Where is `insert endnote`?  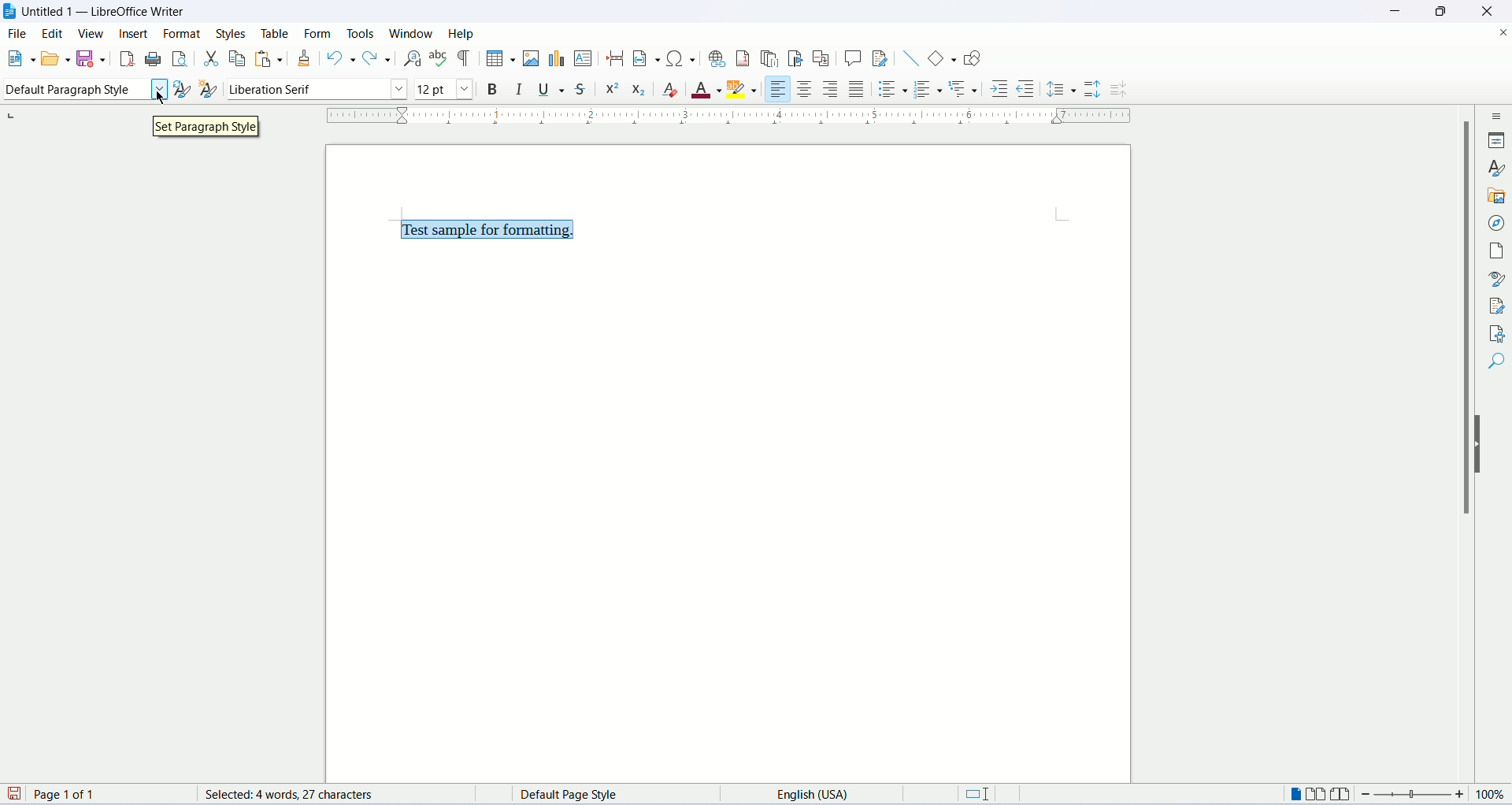
insert endnote is located at coordinates (772, 57).